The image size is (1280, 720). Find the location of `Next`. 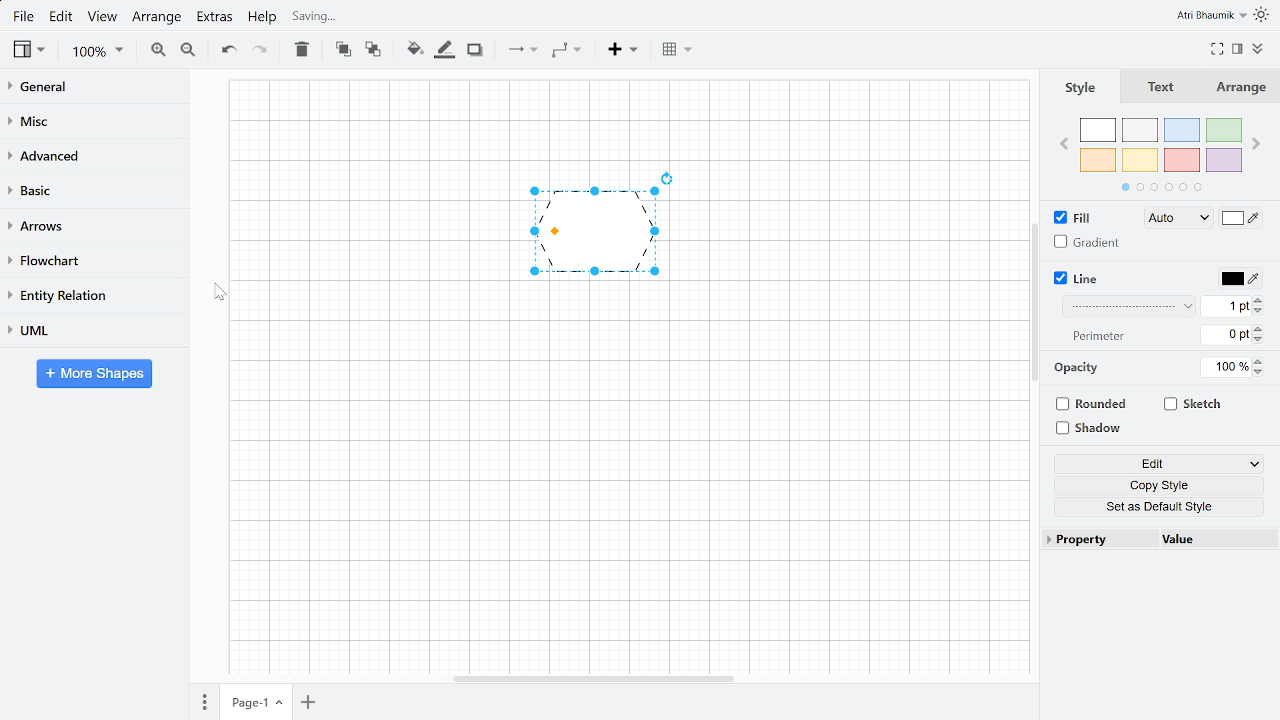

Next is located at coordinates (1256, 142).